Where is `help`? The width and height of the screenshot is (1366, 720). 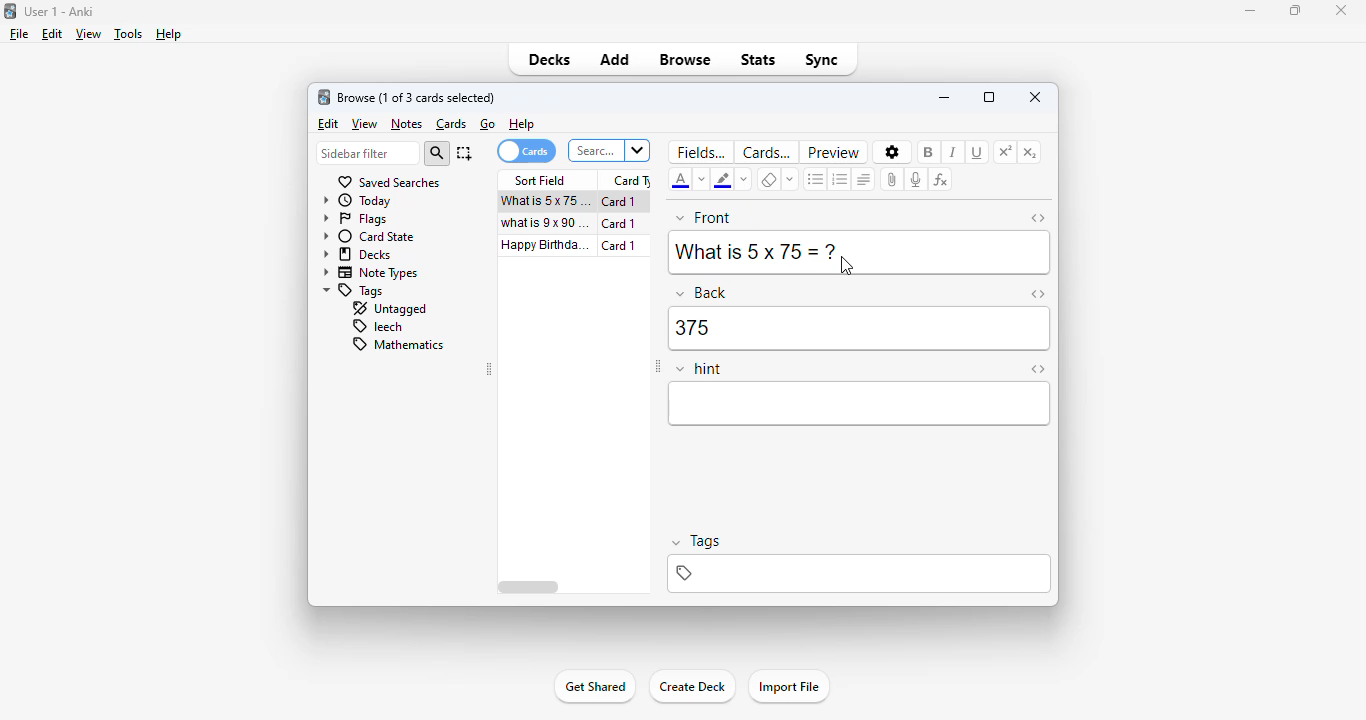 help is located at coordinates (169, 35).